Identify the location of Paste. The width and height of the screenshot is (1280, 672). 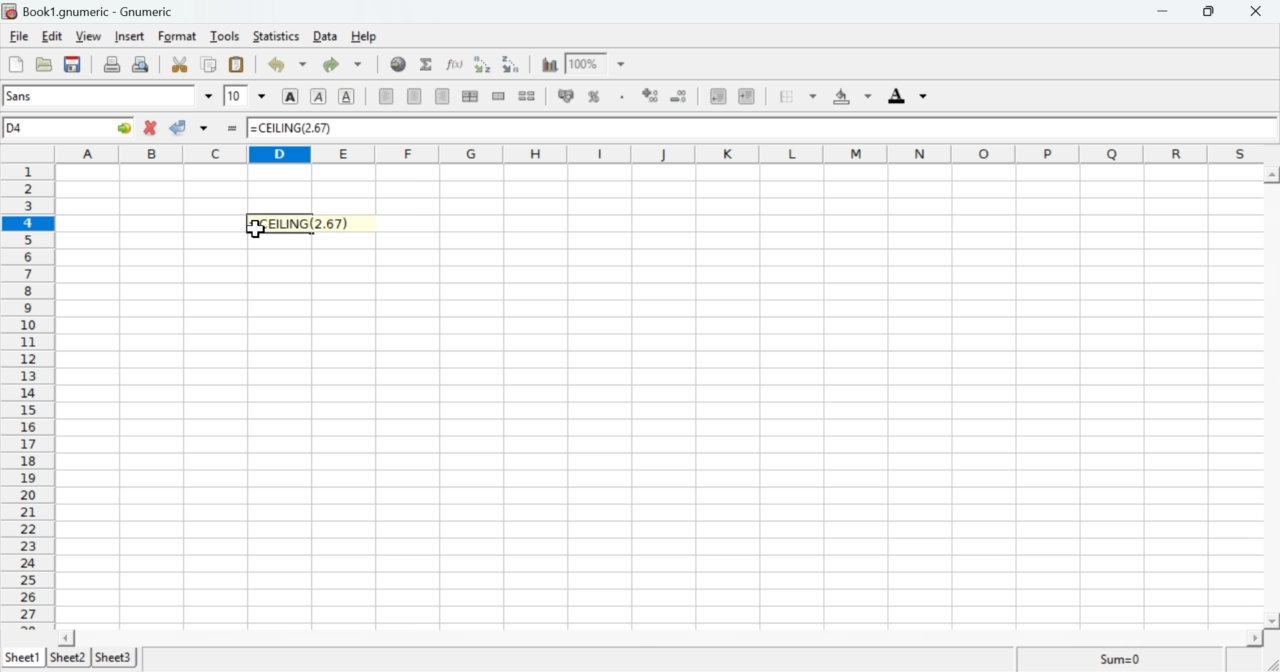
(236, 65).